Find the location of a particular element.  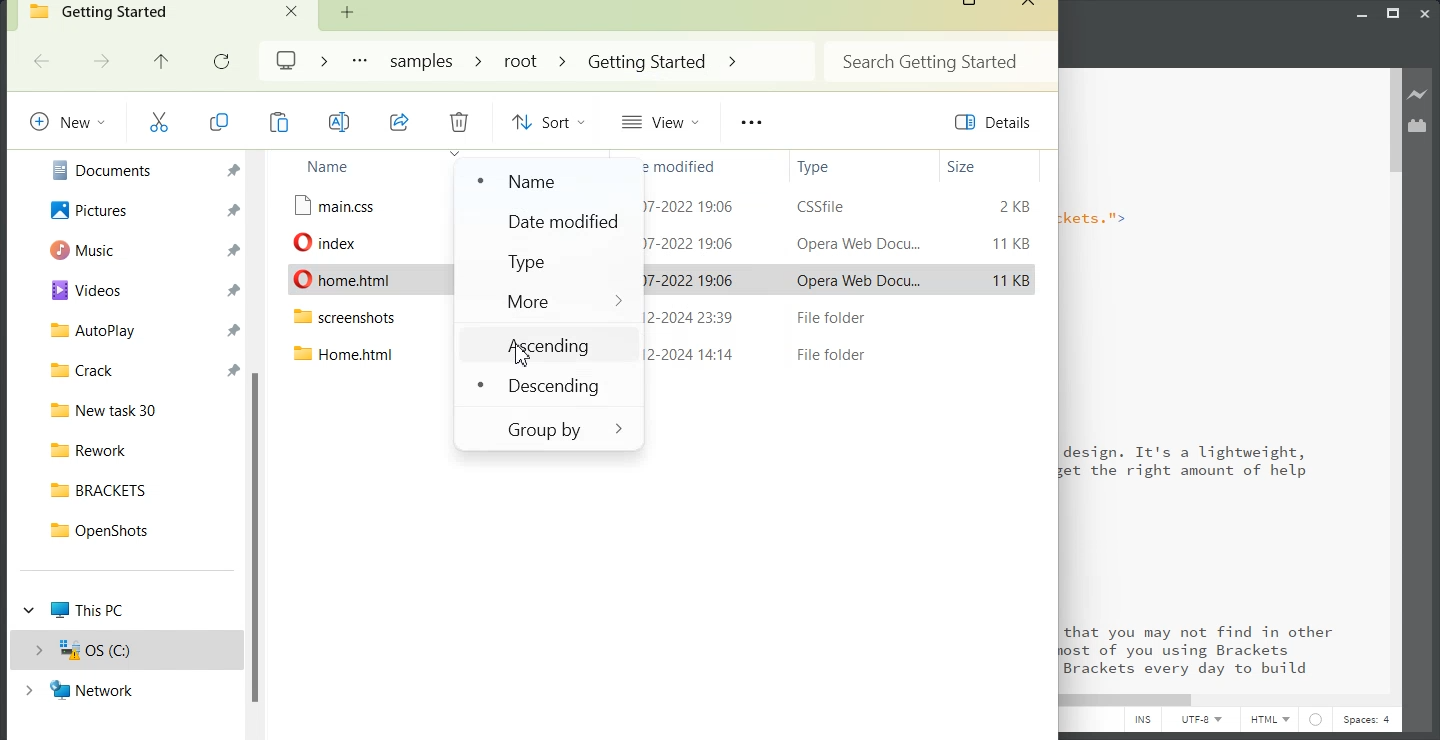

Sort is located at coordinates (545, 121).